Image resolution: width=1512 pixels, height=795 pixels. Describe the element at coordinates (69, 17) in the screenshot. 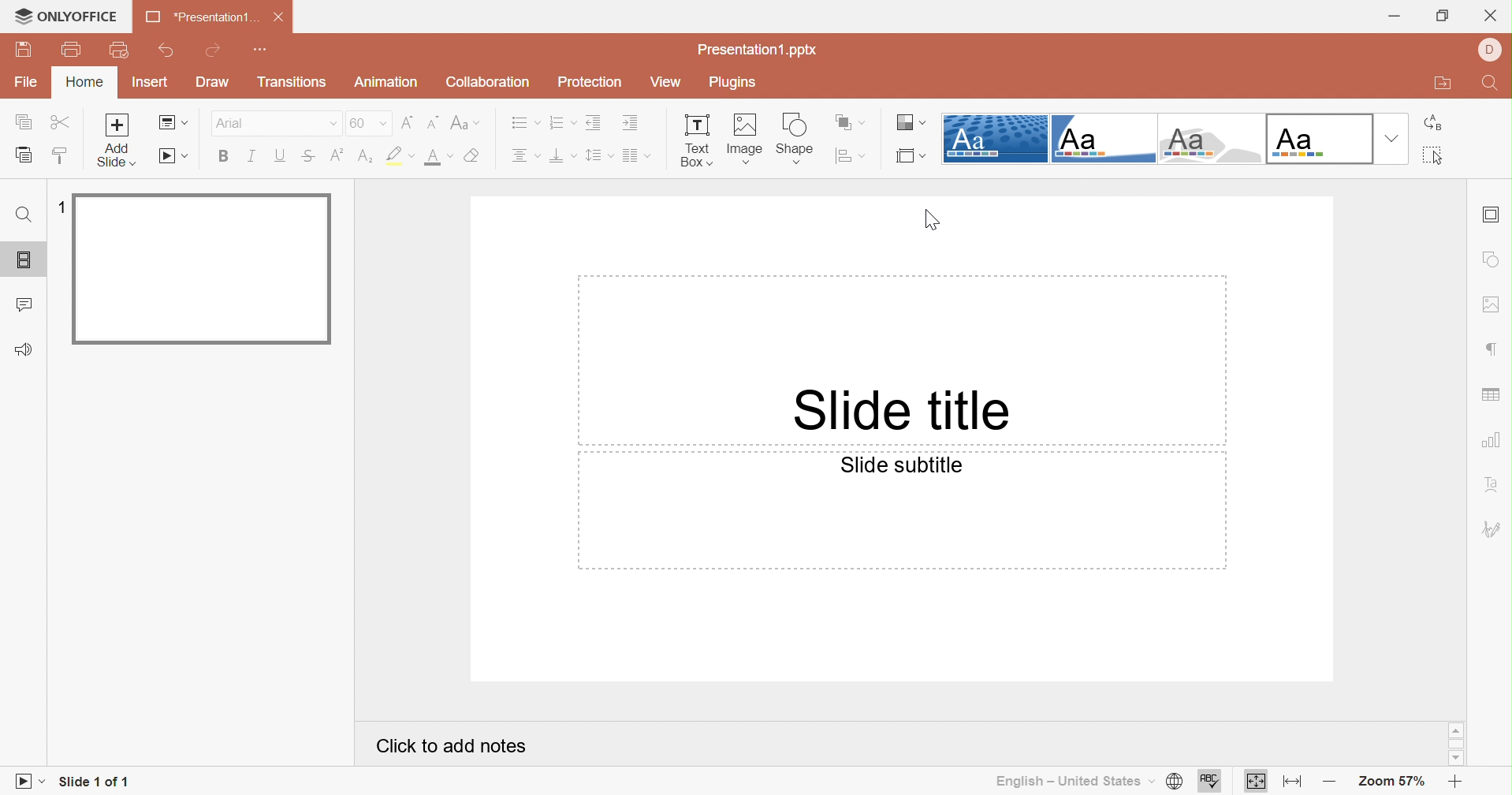

I see `ONLYOFFICE` at that location.